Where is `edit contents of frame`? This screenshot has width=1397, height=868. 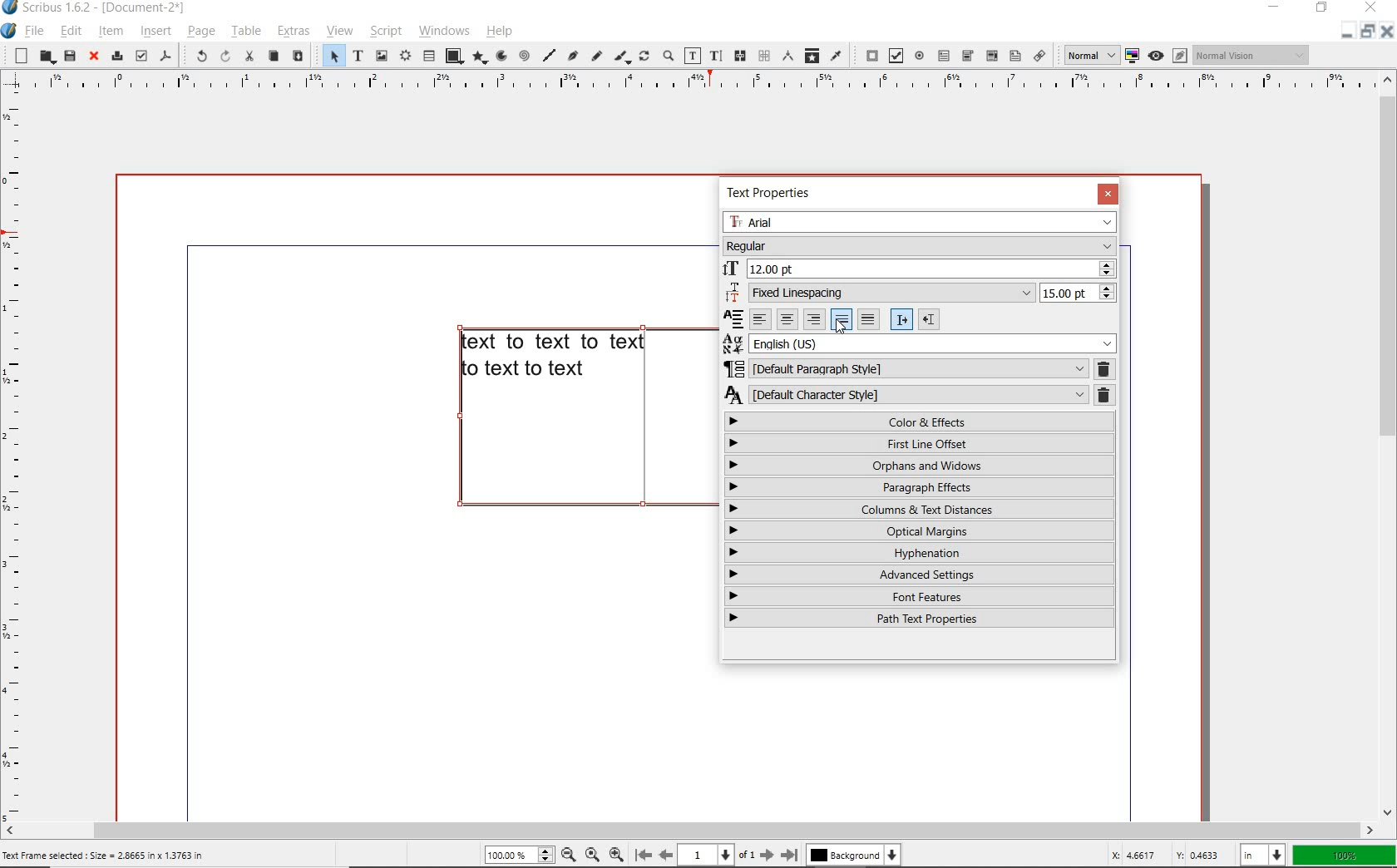 edit contents of frame is located at coordinates (693, 57).